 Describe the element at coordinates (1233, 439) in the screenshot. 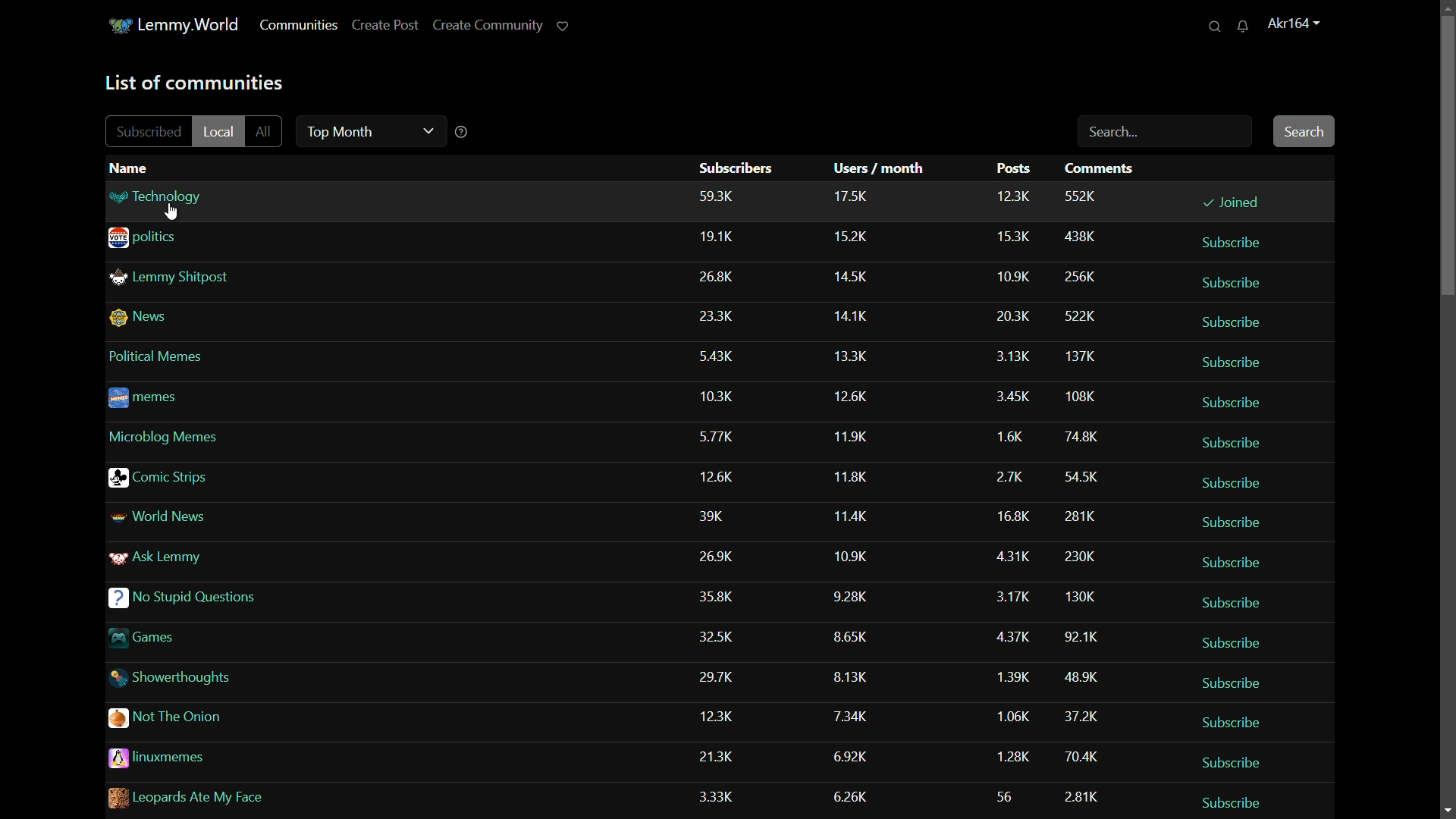

I see `subscribe/unsubscribe` at that location.